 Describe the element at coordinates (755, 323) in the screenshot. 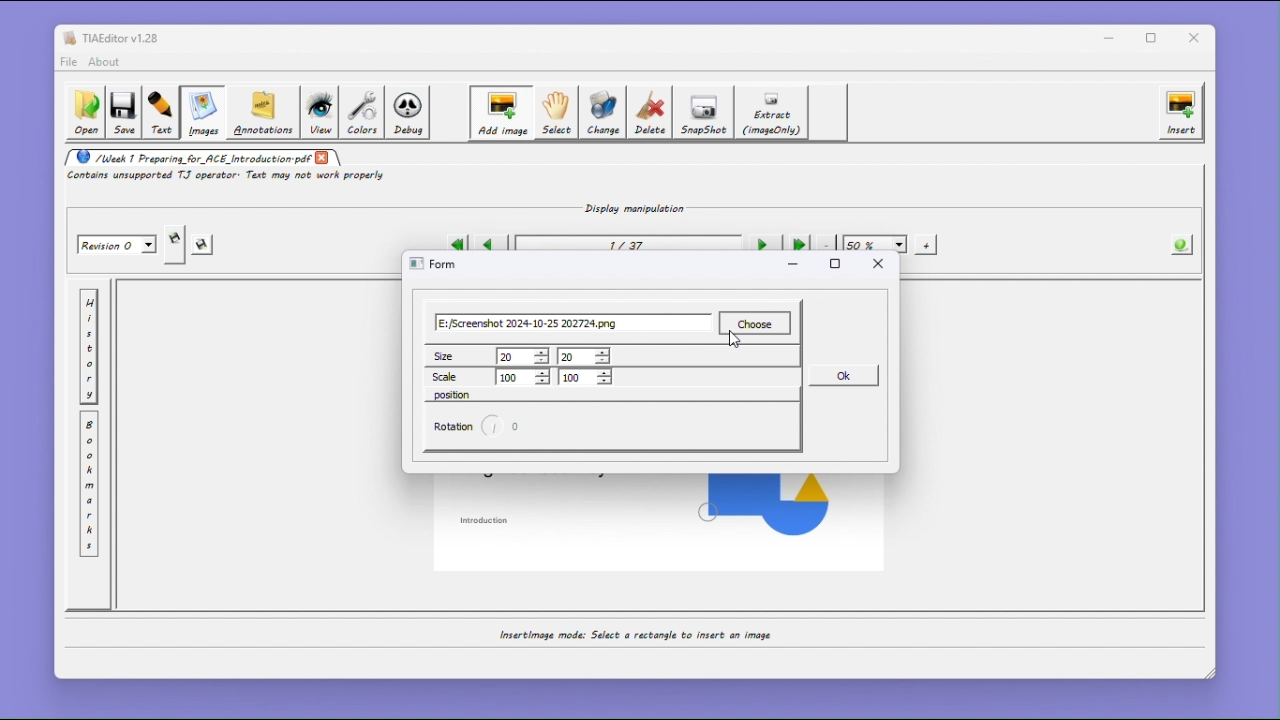

I see `choose` at that location.